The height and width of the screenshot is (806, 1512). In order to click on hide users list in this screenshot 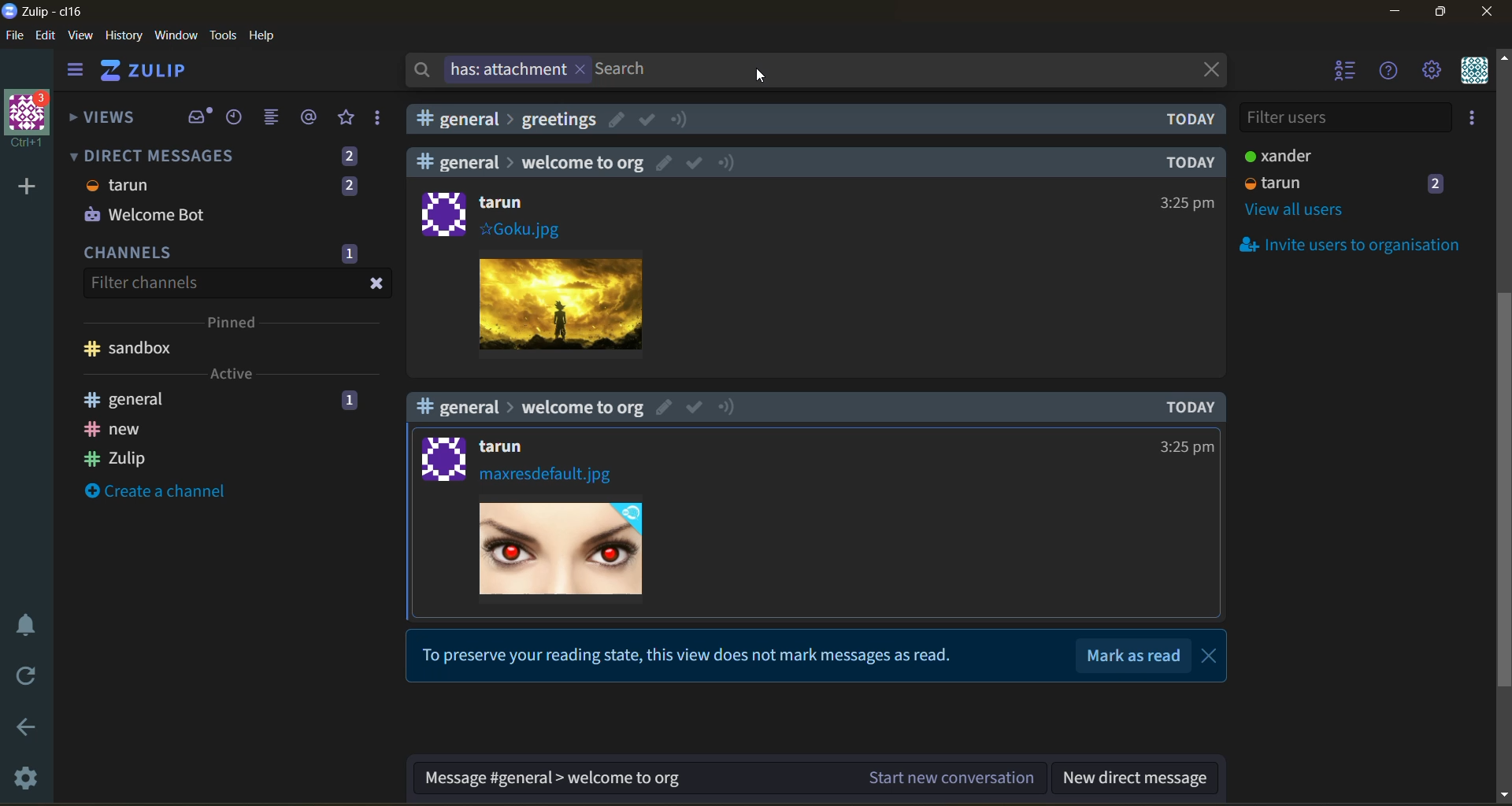, I will do `click(1342, 70)`.